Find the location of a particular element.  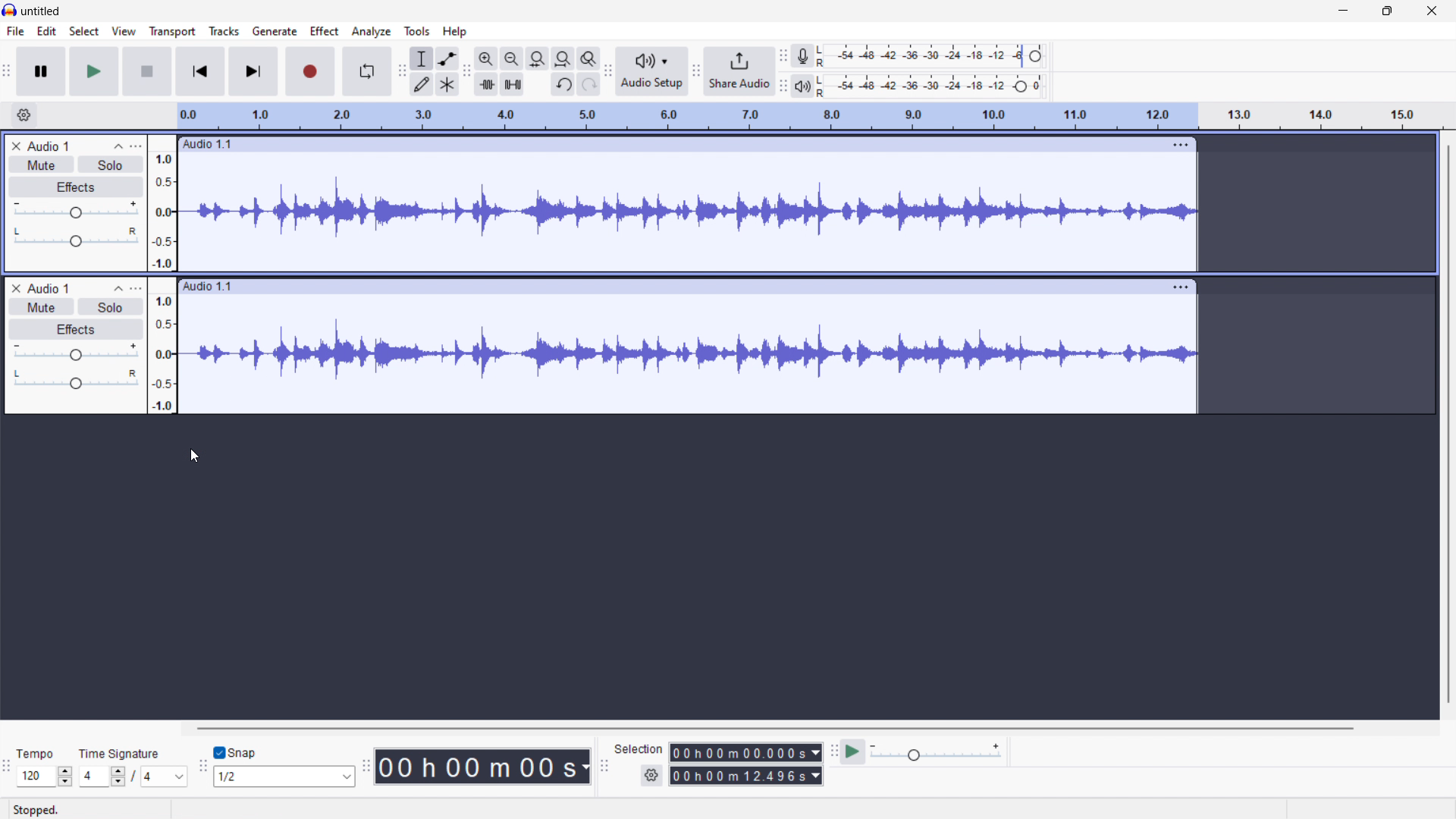

close is located at coordinates (1431, 11).